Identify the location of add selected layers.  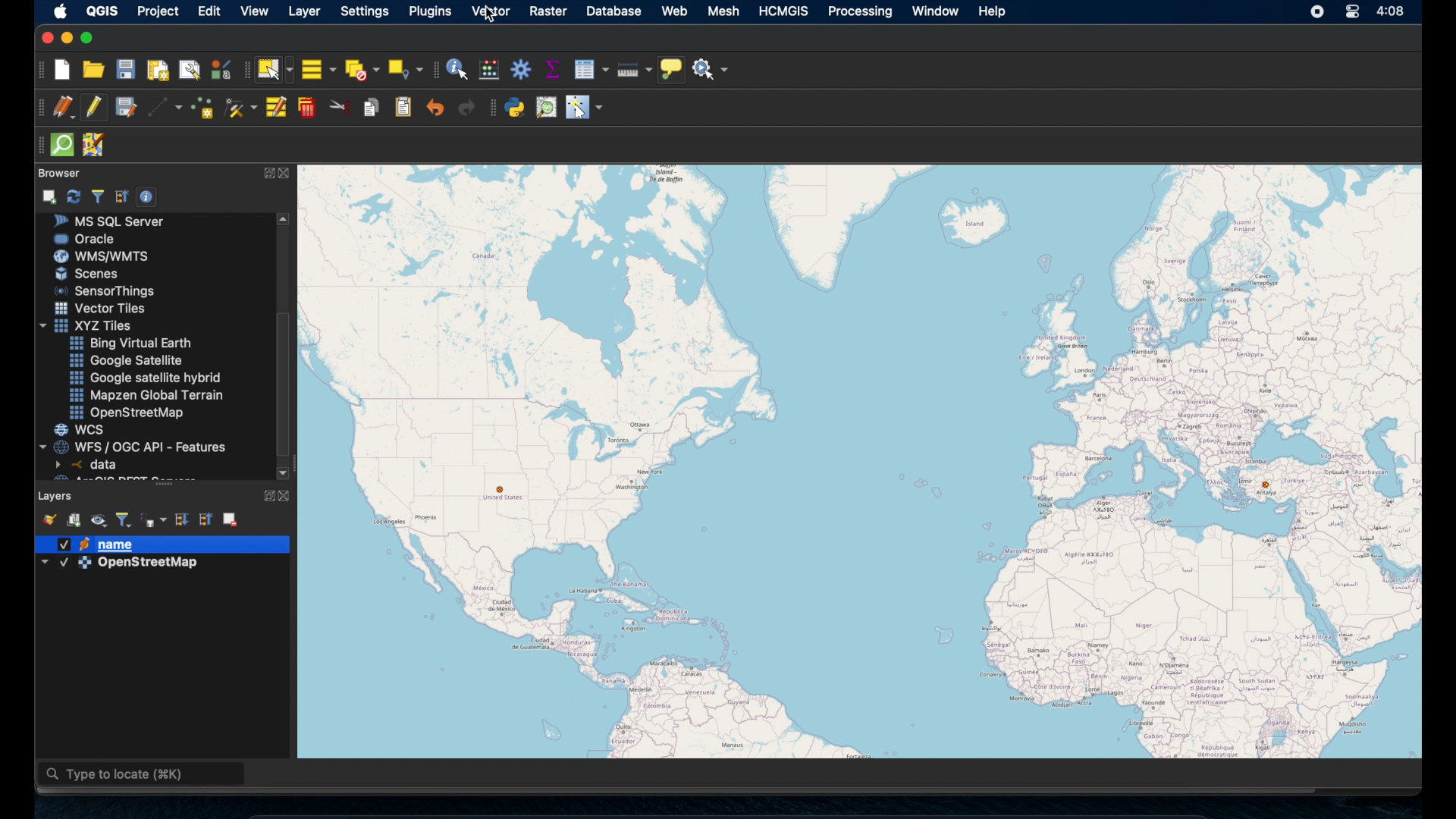
(51, 196).